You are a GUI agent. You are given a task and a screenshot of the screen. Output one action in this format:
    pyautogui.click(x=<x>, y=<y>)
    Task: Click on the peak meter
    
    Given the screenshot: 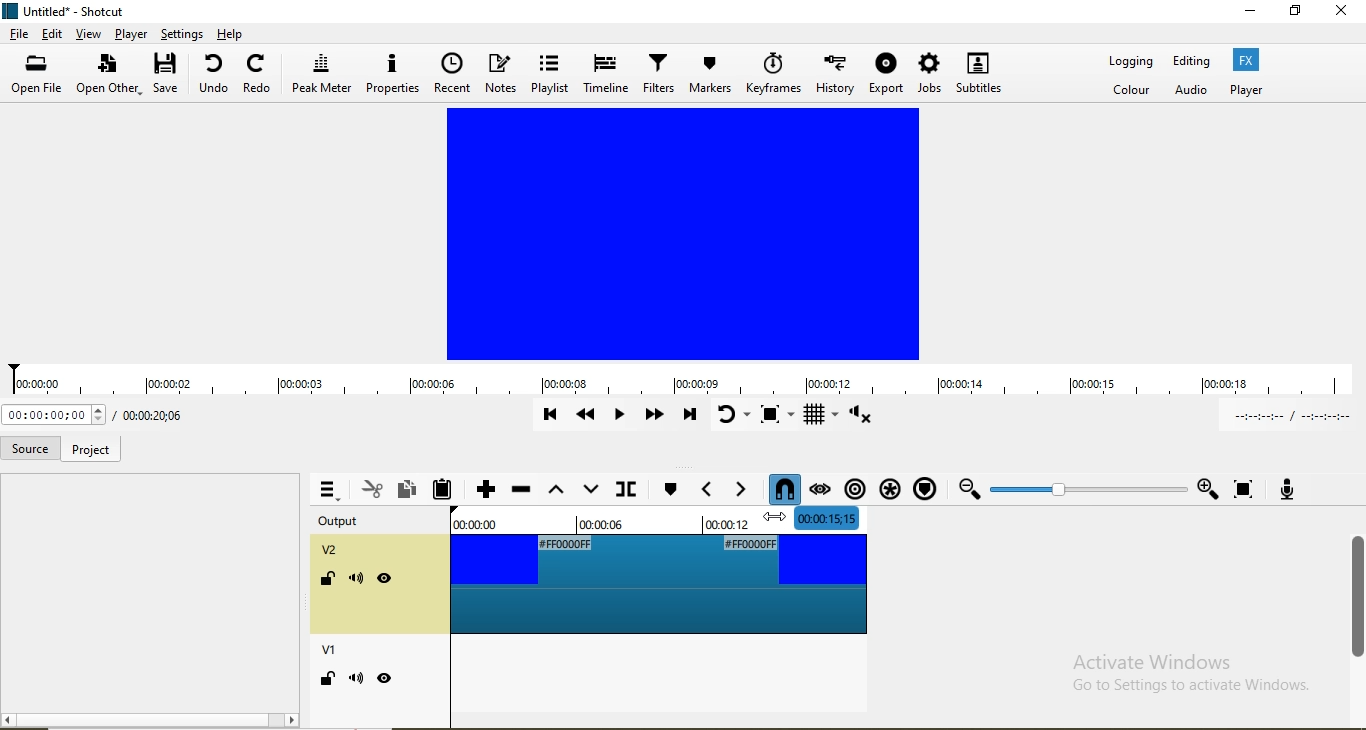 What is the action you would take?
    pyautogui.click(x=322, y=74)
    